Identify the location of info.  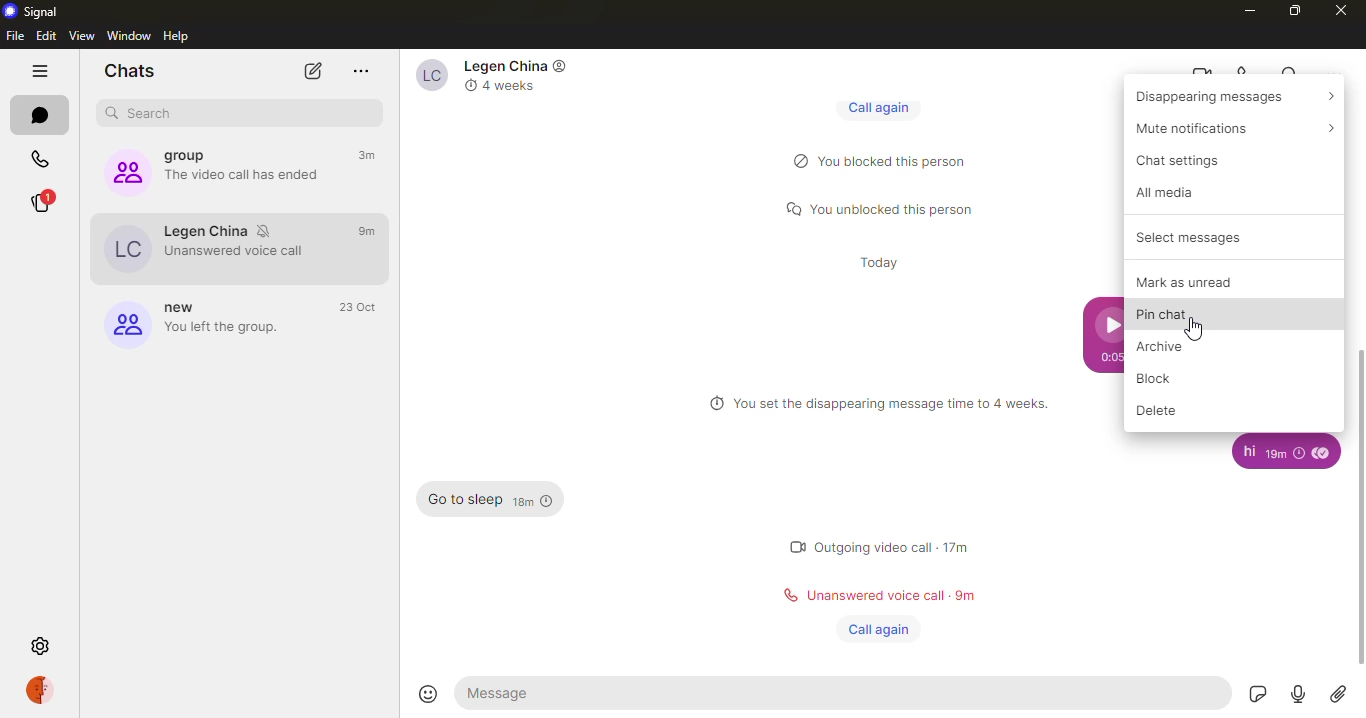
(878, 403).